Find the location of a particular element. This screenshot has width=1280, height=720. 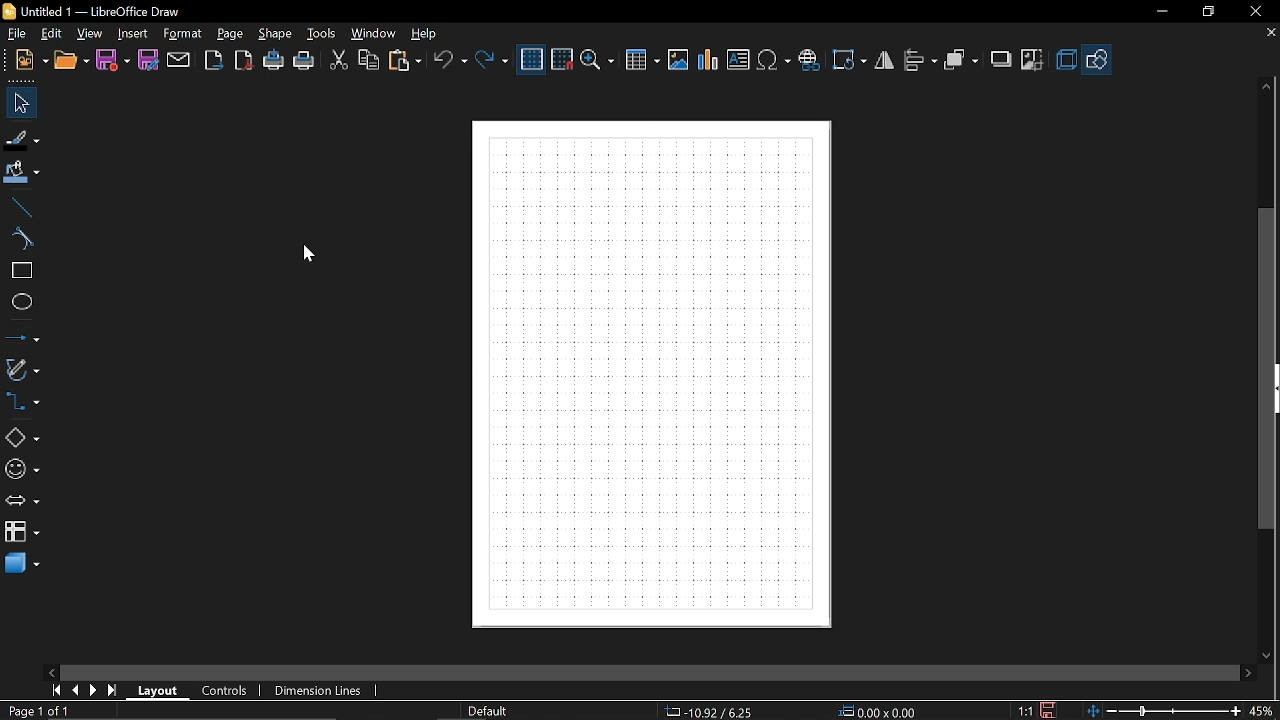

window is located at coordinates (375, 33).